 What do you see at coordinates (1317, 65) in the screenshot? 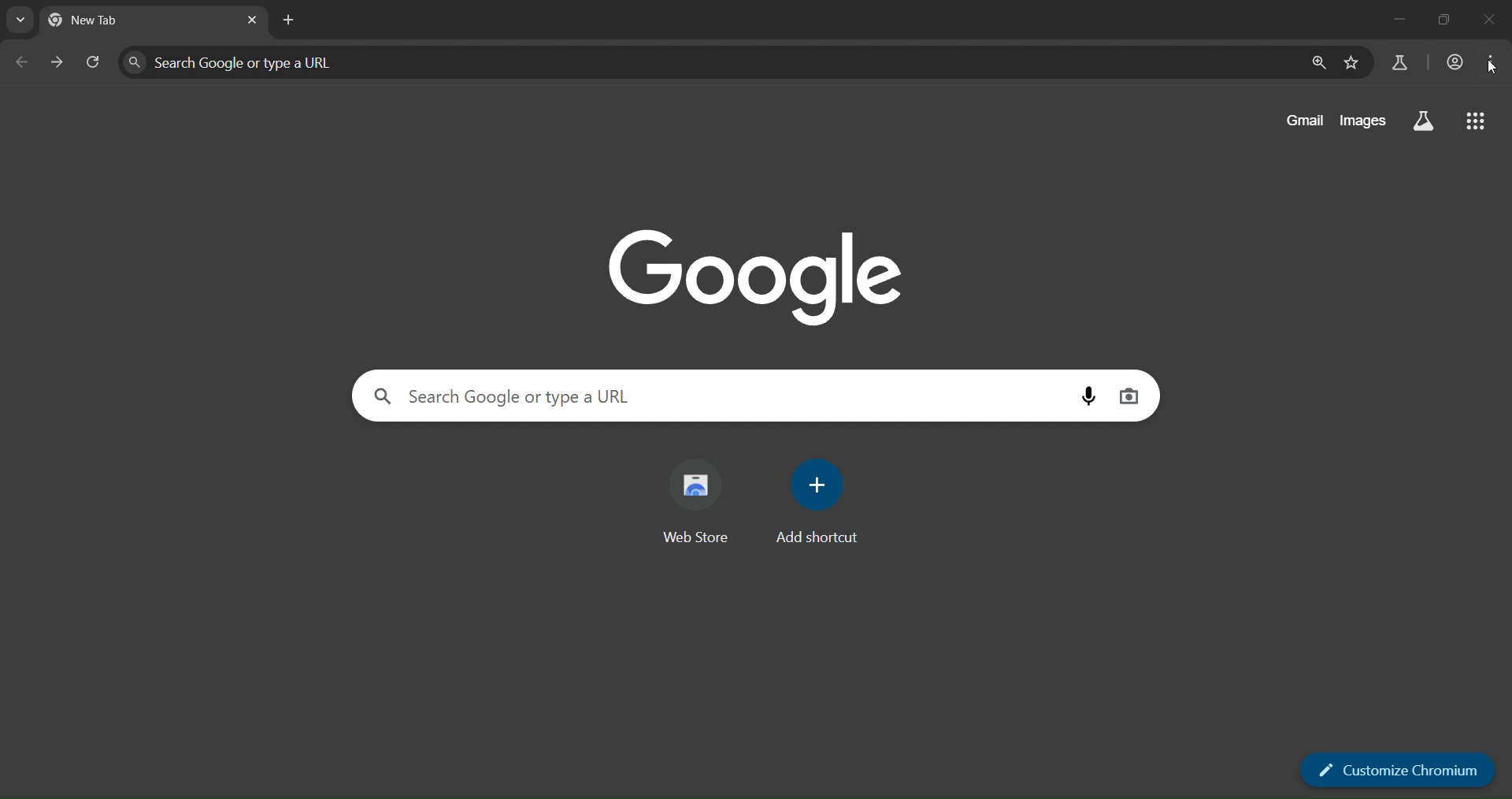
I see `zoom in` at bounding box center [1317, 65].